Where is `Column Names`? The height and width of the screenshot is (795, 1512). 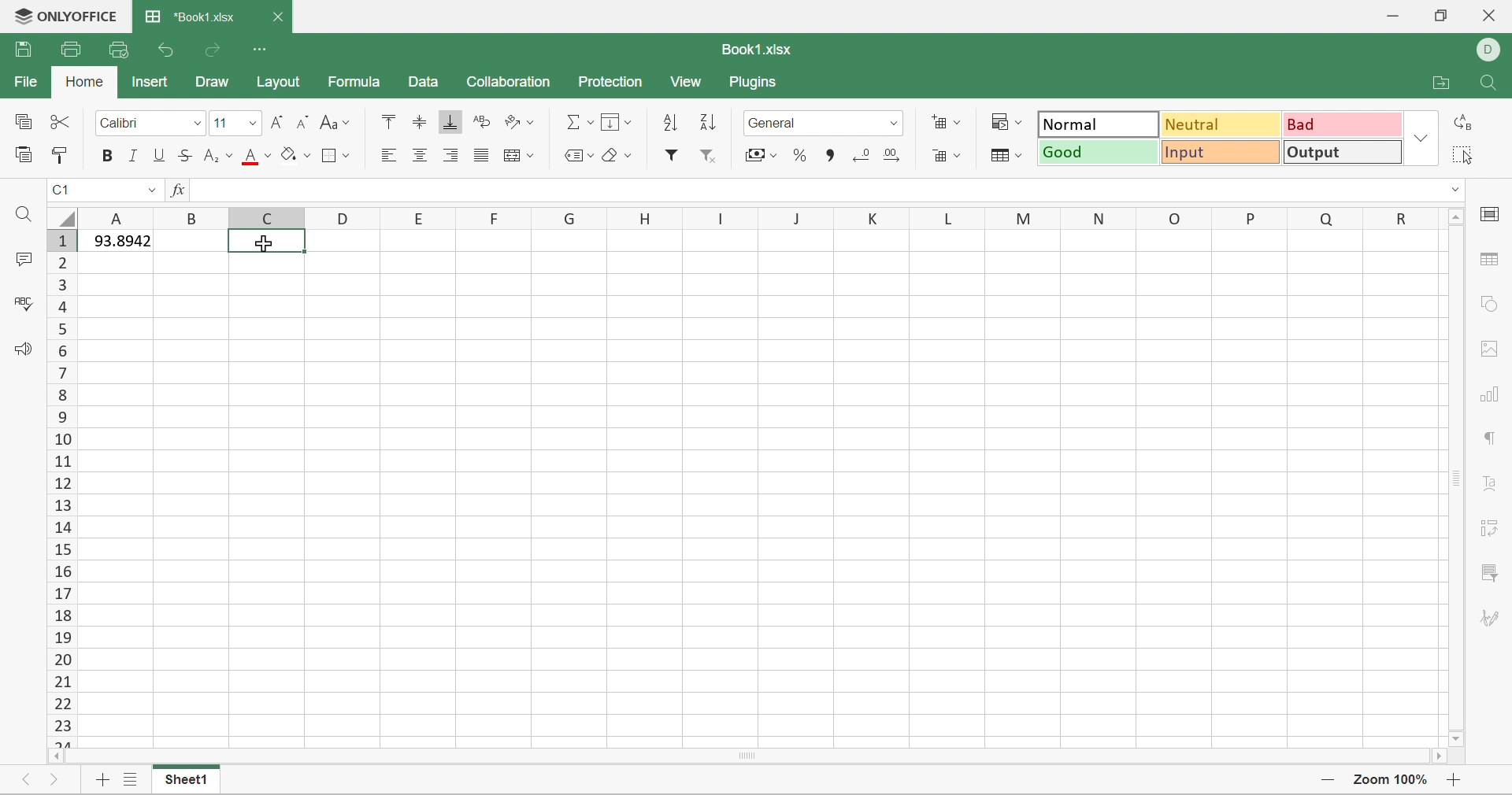 Column Names is located at coordinates (759, 216).